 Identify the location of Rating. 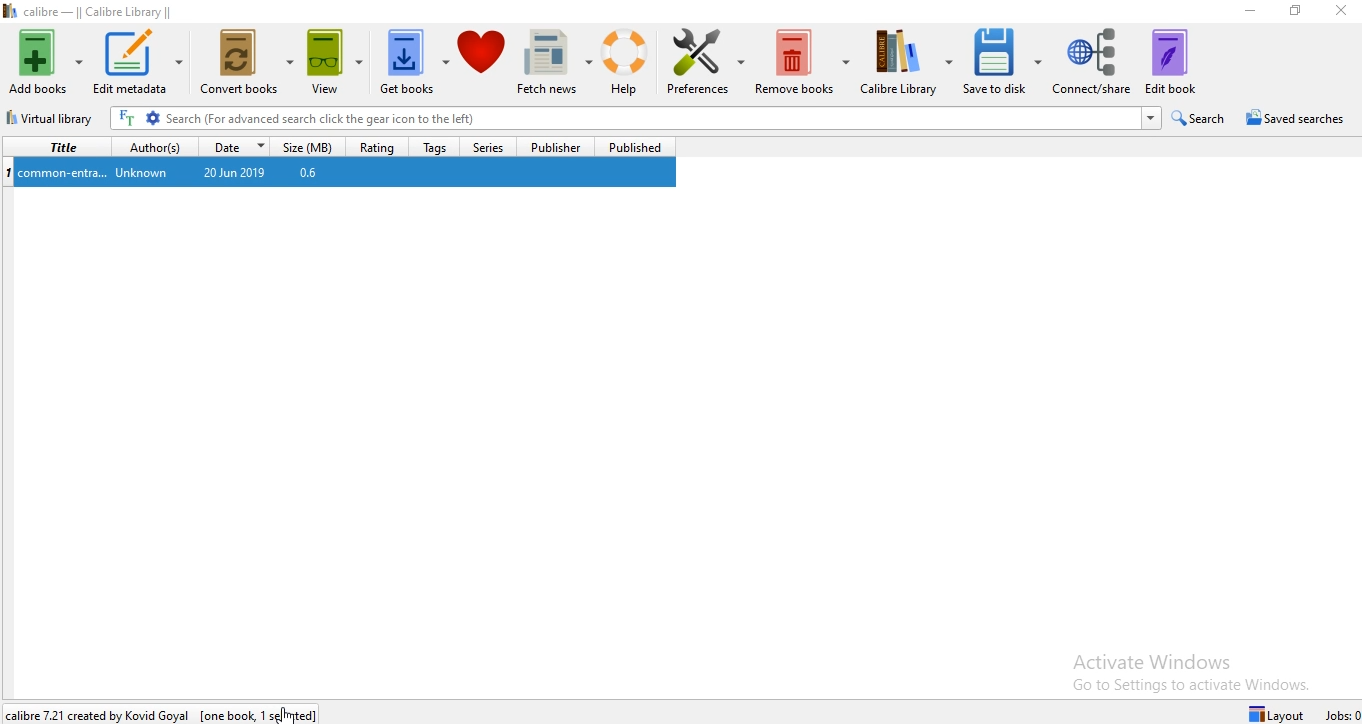
(380, 146).